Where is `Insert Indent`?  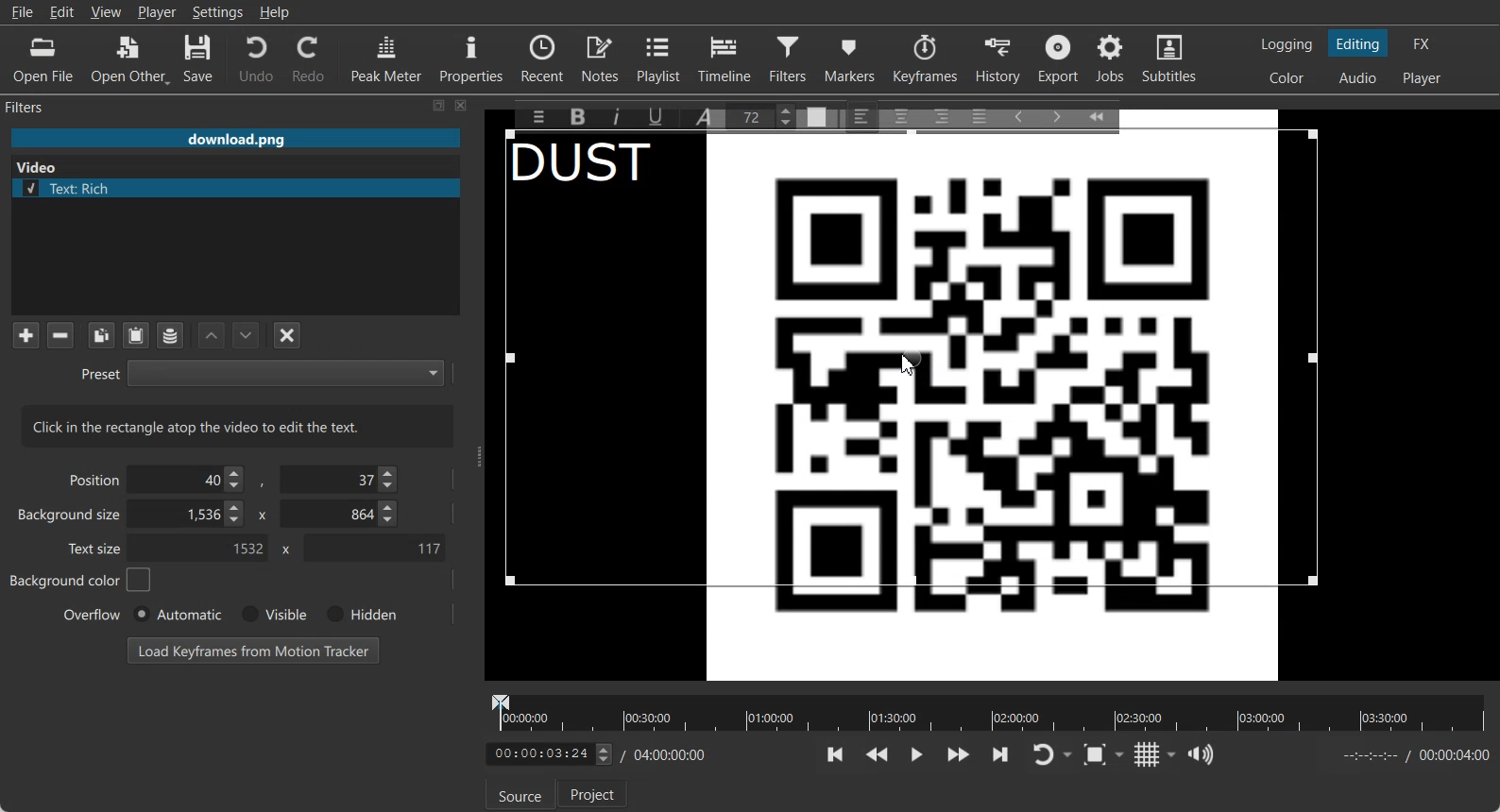
Insert Indent is located at coordinates (1057, 114).